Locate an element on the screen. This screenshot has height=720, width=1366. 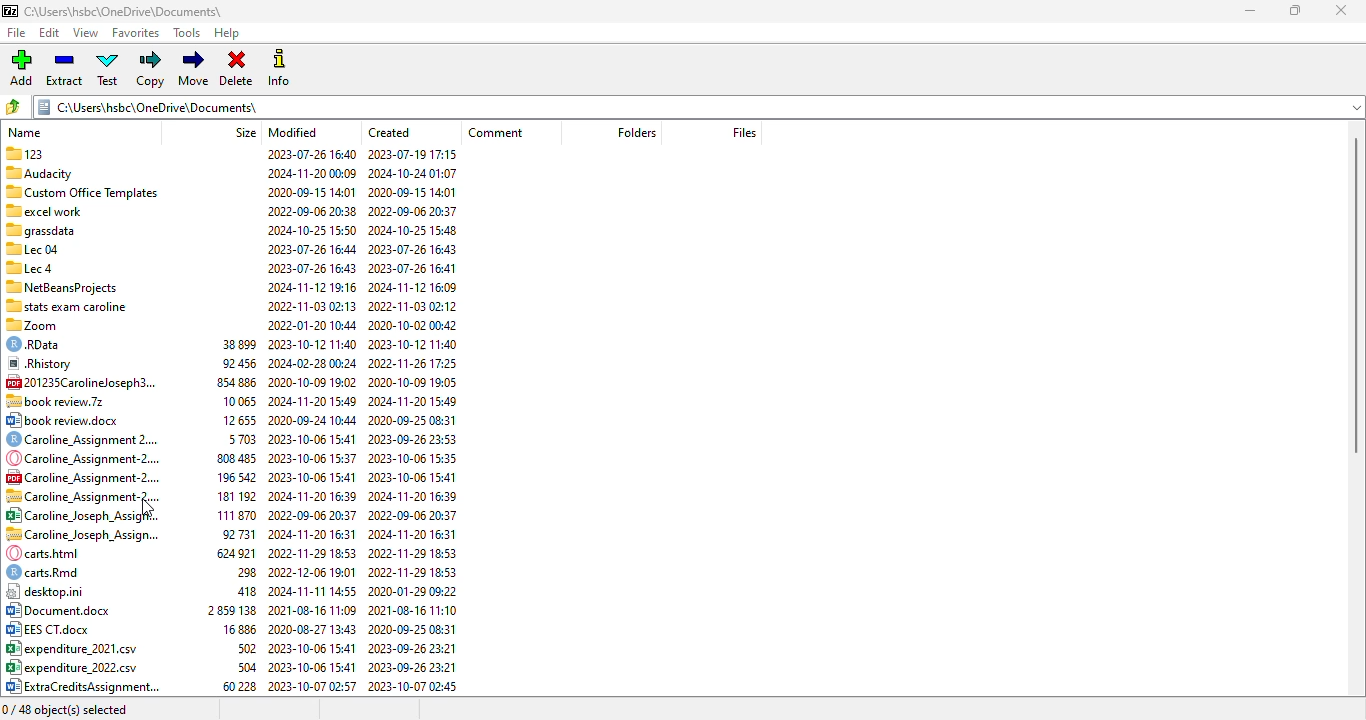
favorites is located at coordinates (135, 33).